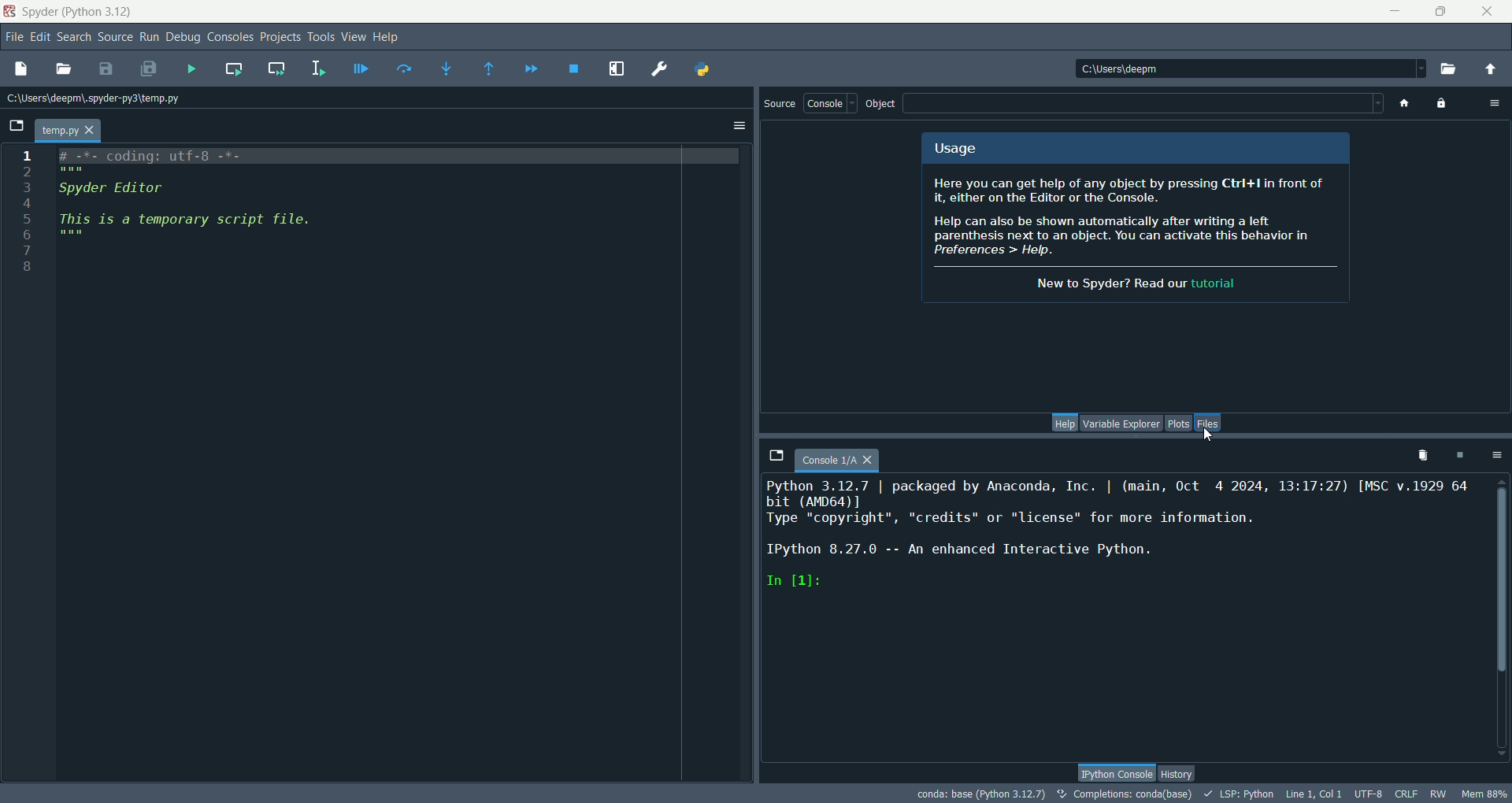 The width and height of the screenshot is (1512, 803). Describe the element at coordinates (1495, 105) in the screenshot. I see `options` at that location.